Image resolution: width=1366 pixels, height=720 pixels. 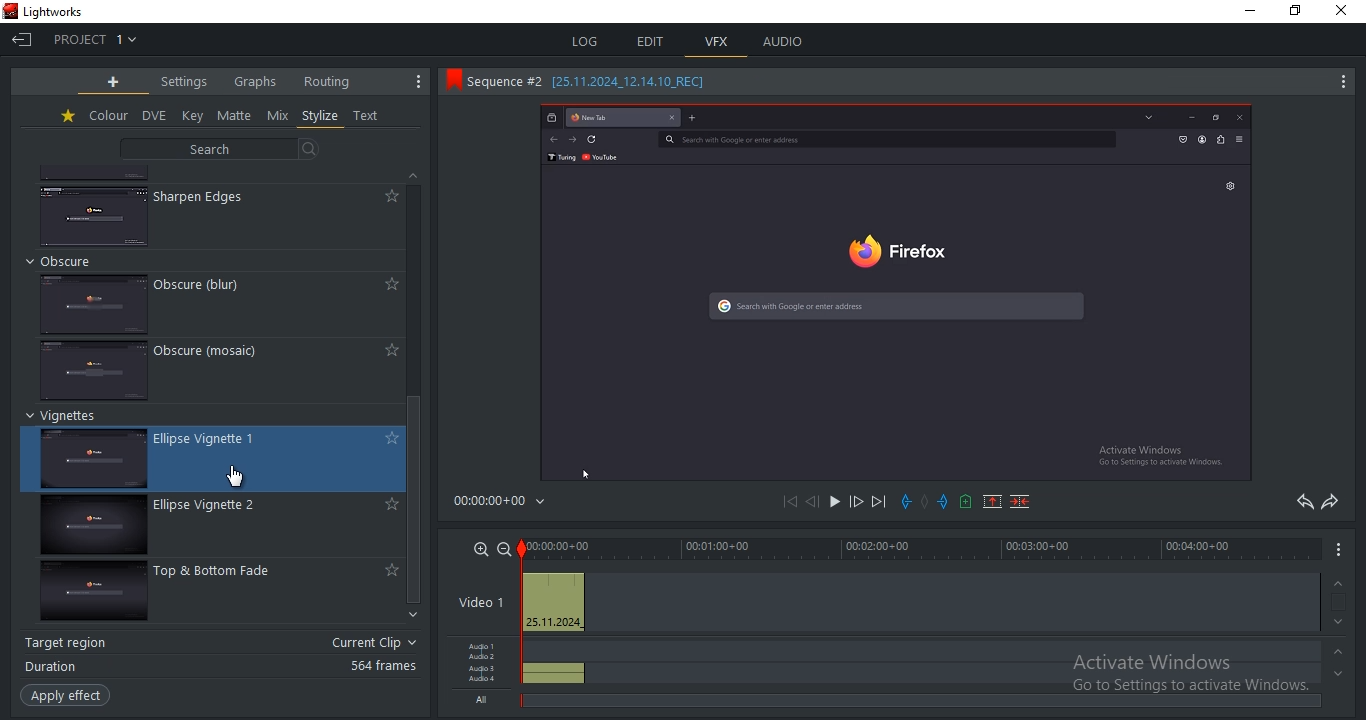 What do you see at coordinates (219, 668) in the screenshot?
I see `duration 564 frames` at bounding box center [219, 668].